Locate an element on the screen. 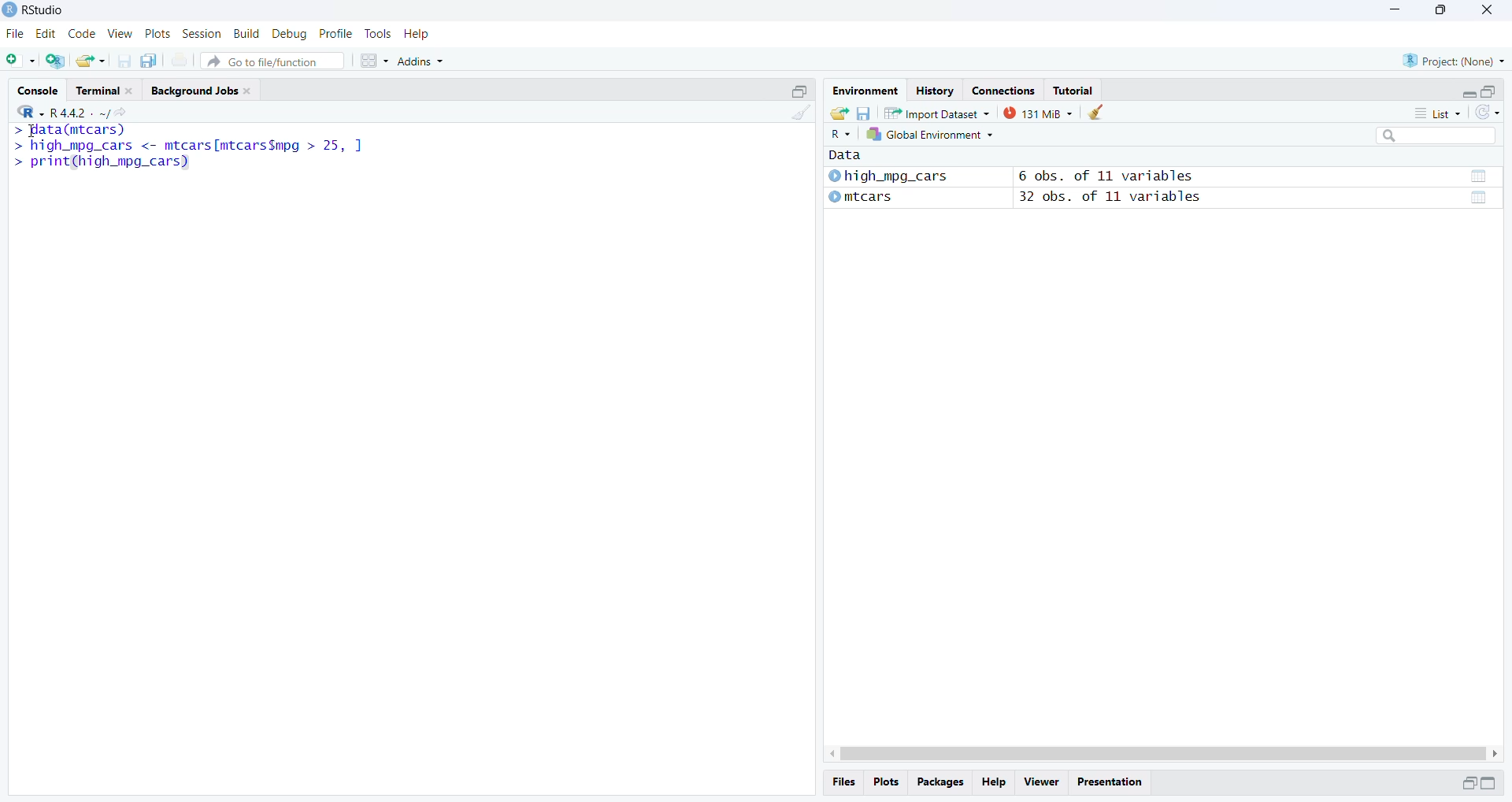 The width and height of the screenshot is (1512, 802). List is located at coordinates (1437, 112).